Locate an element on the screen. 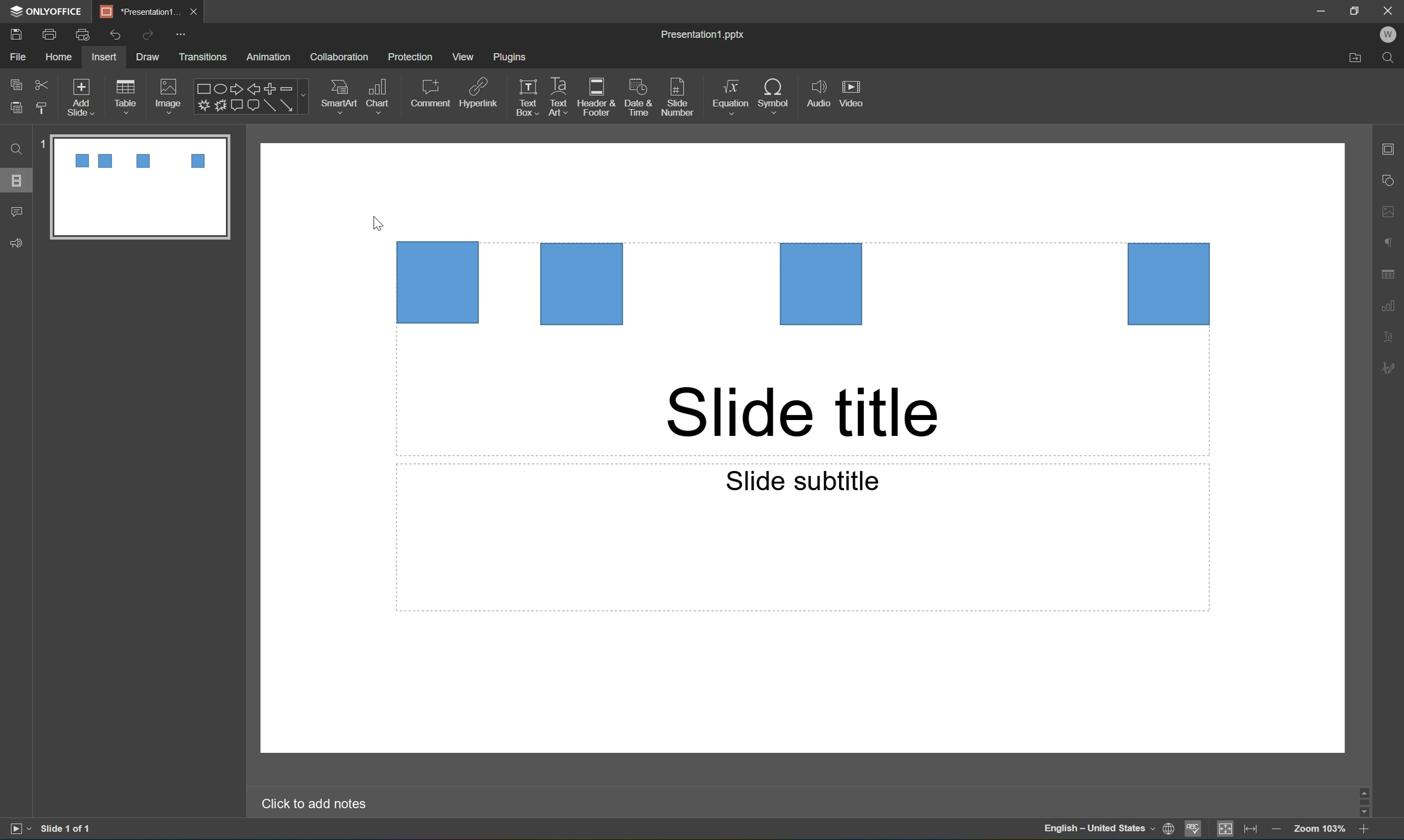 The height and width of the screenshot is (840, 1404). protection is located at coordinates (412, 58).